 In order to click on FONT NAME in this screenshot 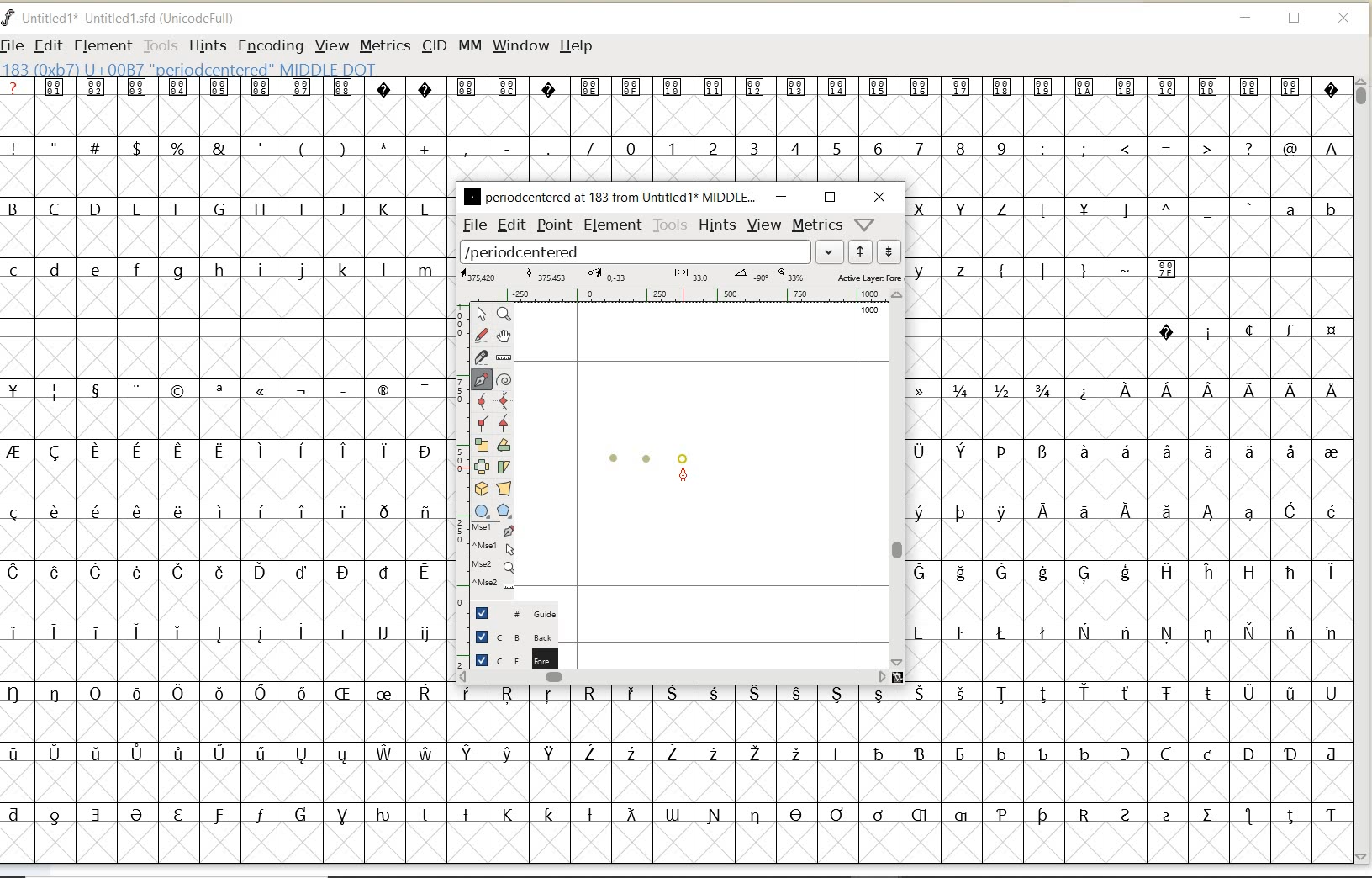, I will do `click(131, 19)`.